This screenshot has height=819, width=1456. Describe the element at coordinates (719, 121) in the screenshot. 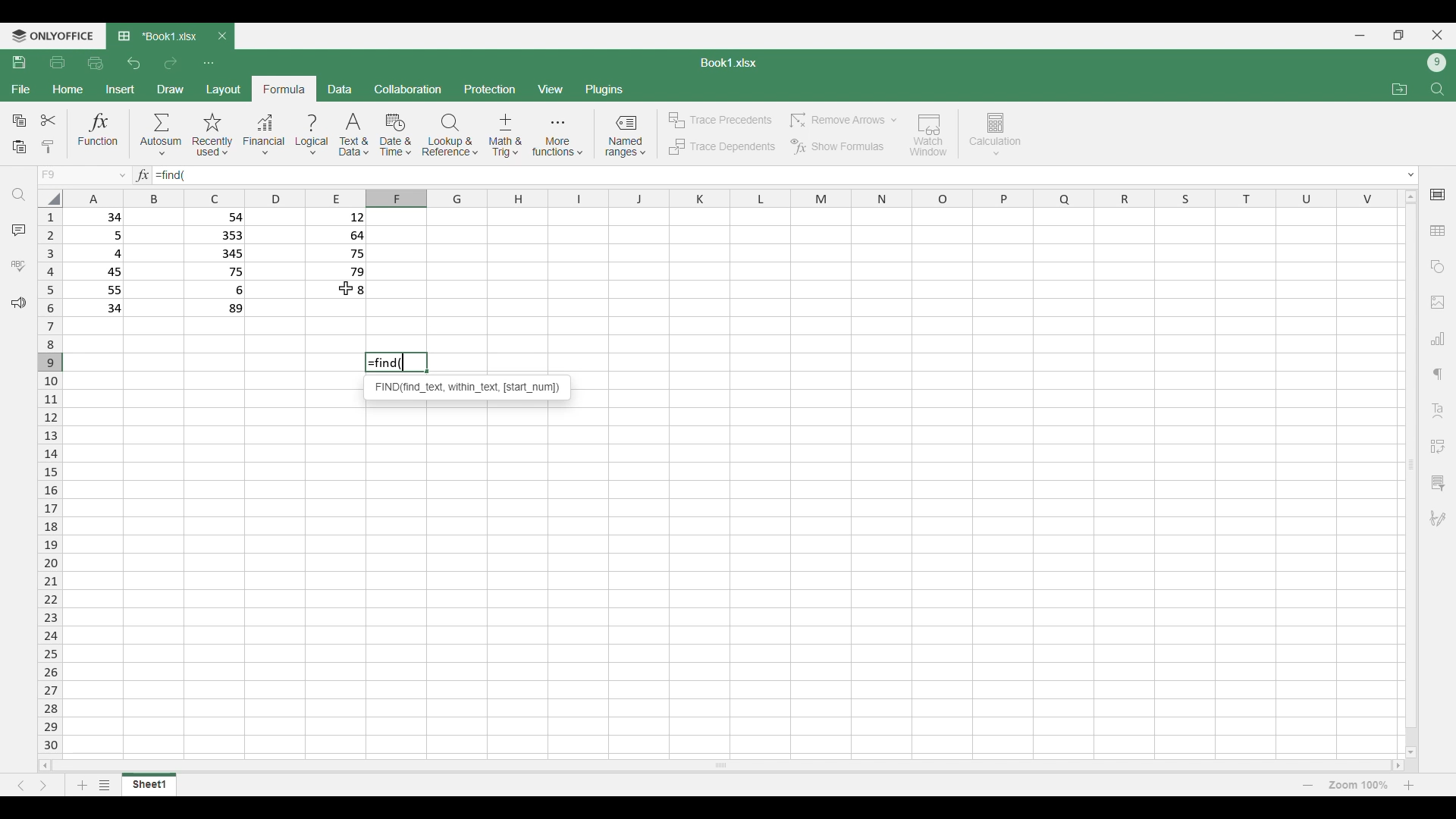

I see `Trace precedents` at that location.